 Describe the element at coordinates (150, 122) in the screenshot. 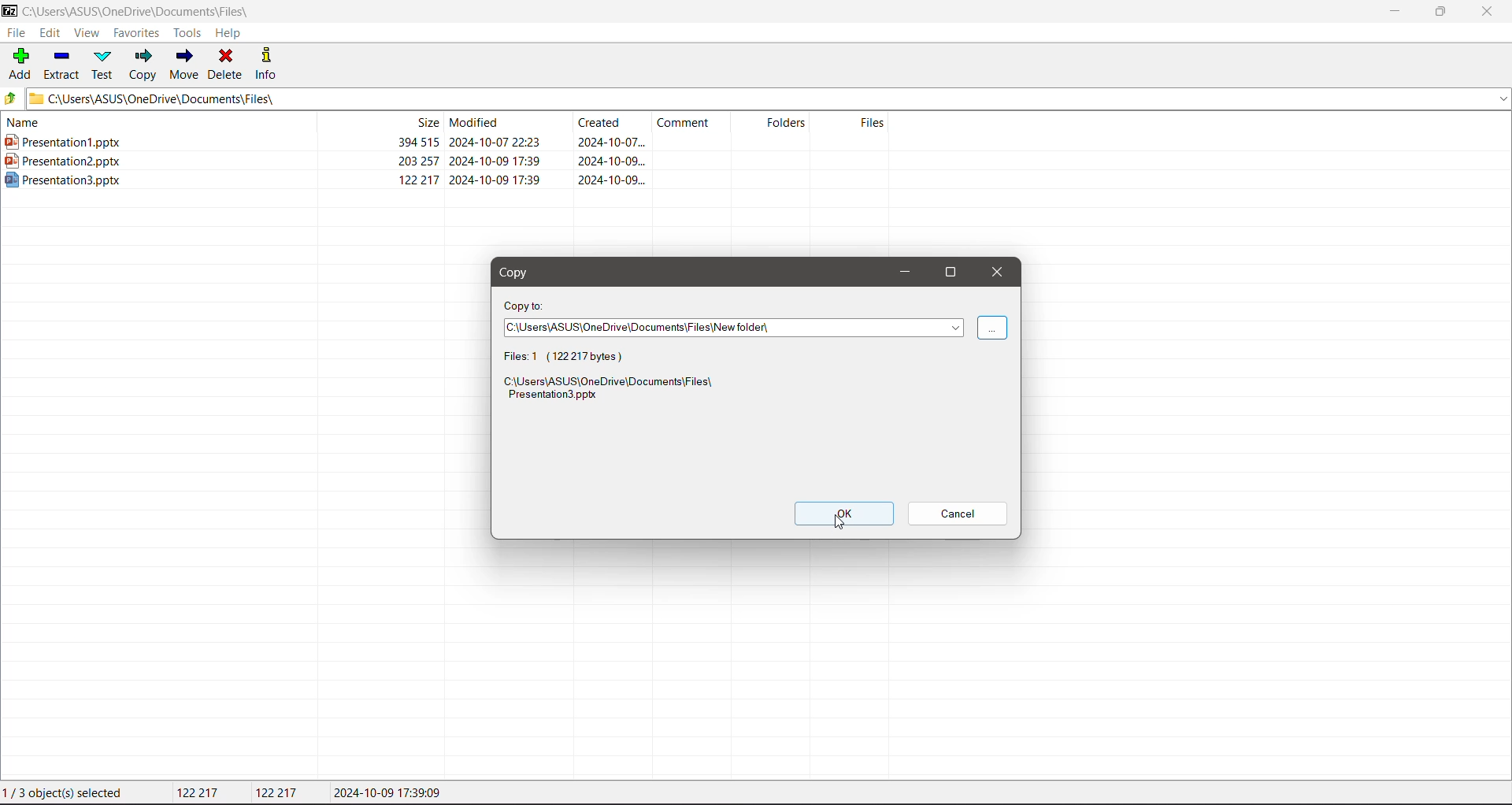

I see `Name` at that location.